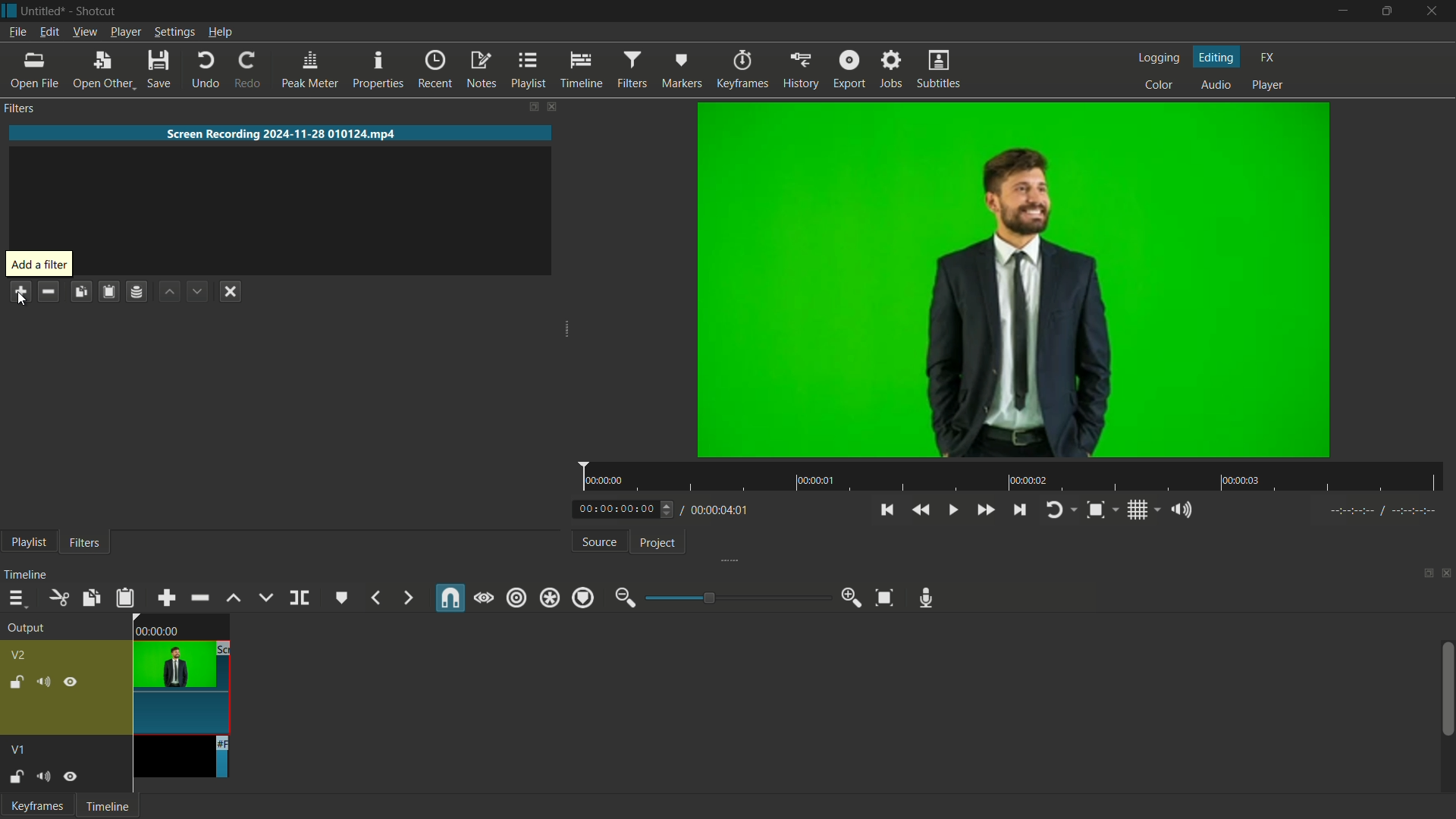  What do you see at coordinates (15, 682) in the screenshot?
I see `lock` at bounding box center [15, 682].